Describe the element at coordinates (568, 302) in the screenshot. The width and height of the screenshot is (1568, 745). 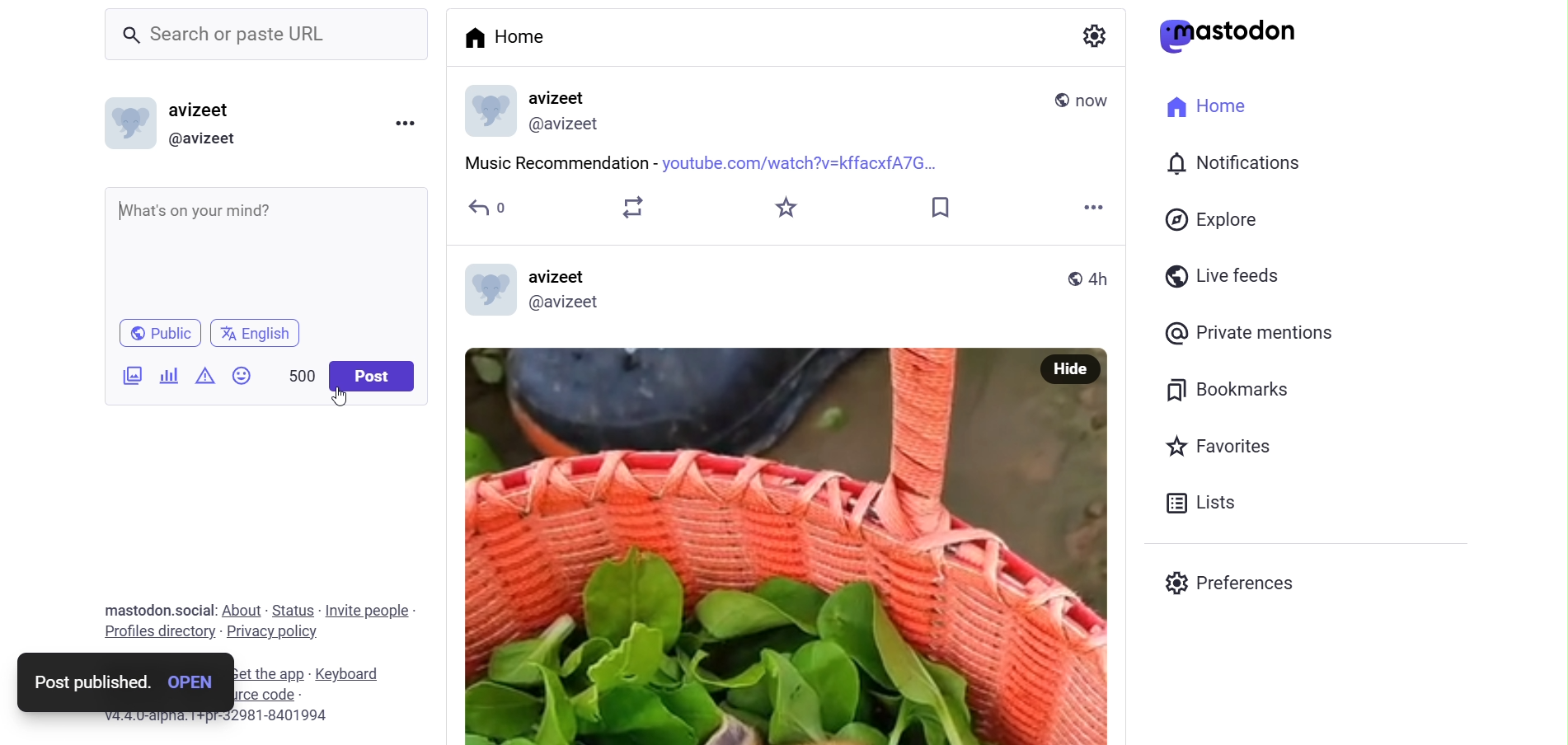
I see `@avizeet` at that location.